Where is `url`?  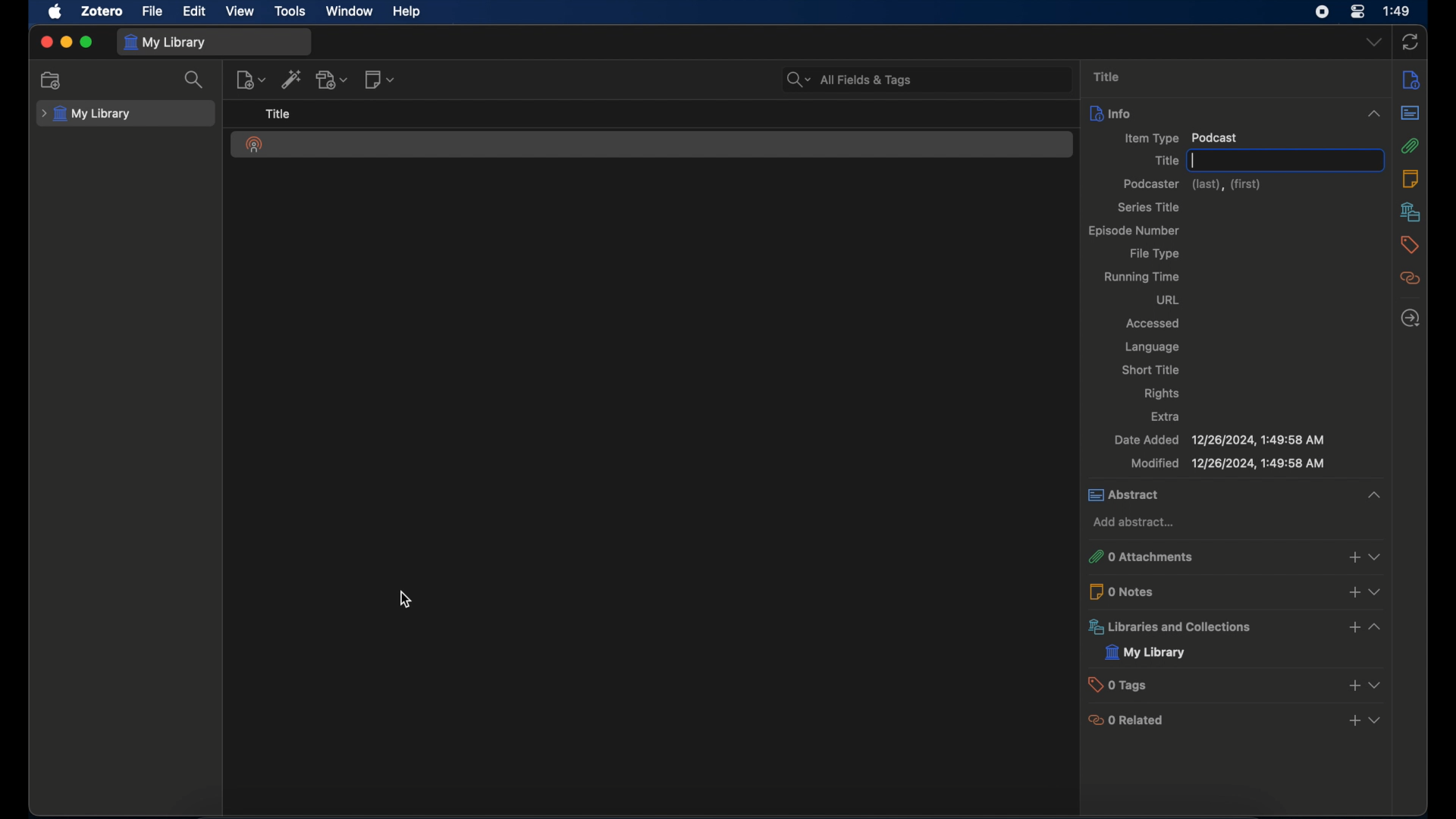
url is located at coordinates (1169, 301).